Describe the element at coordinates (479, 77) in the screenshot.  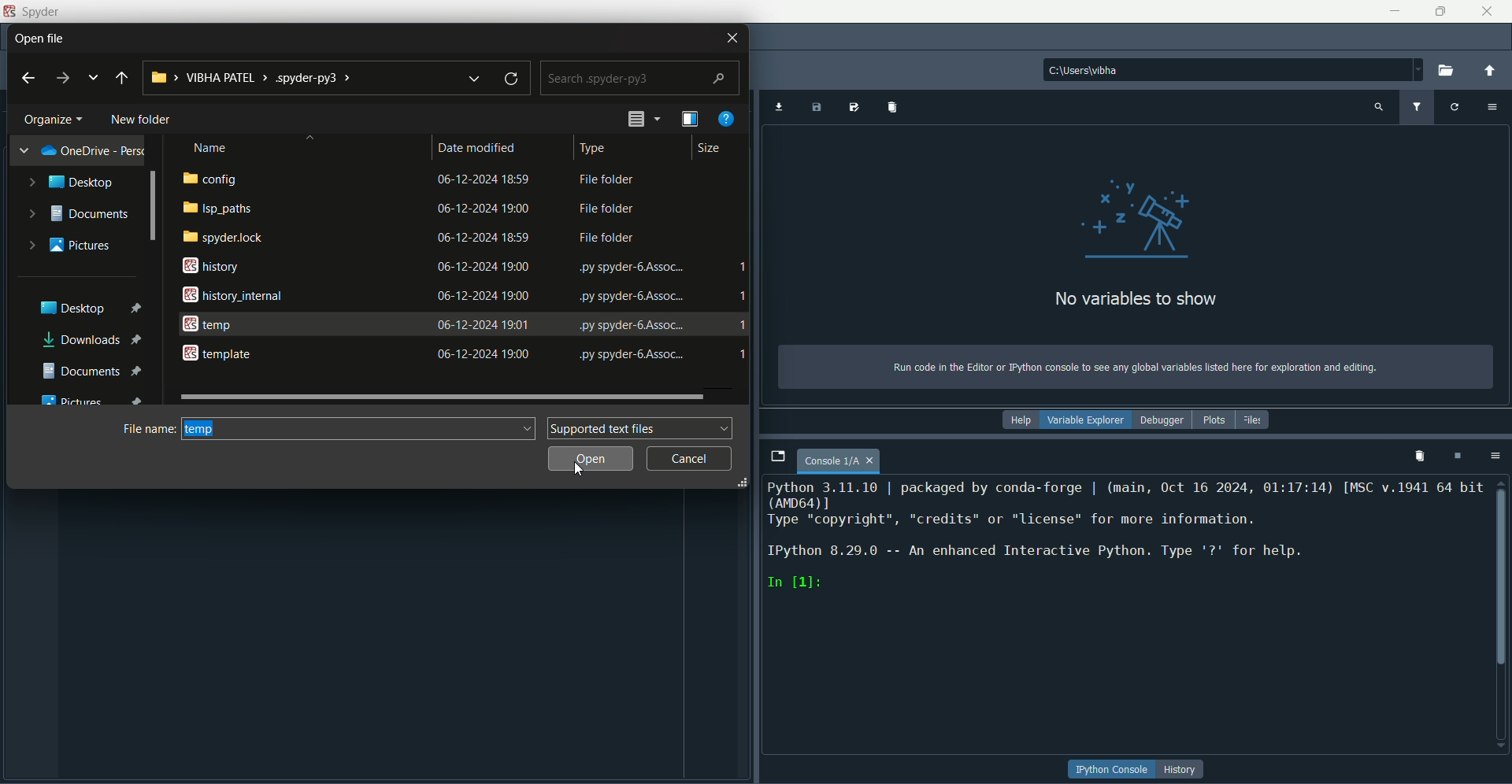
I see `down arrow` at that location.